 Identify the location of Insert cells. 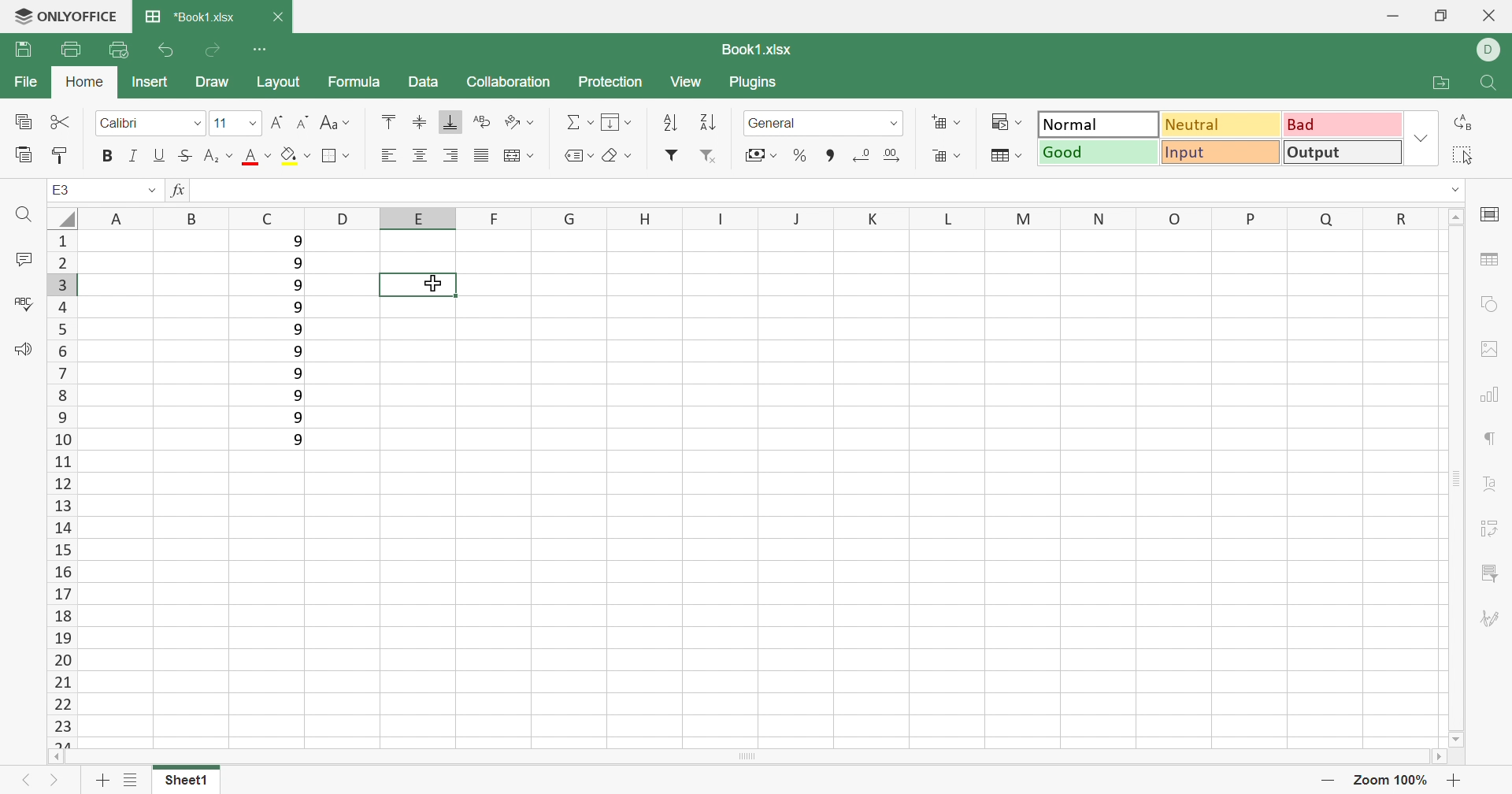
(947, 121).